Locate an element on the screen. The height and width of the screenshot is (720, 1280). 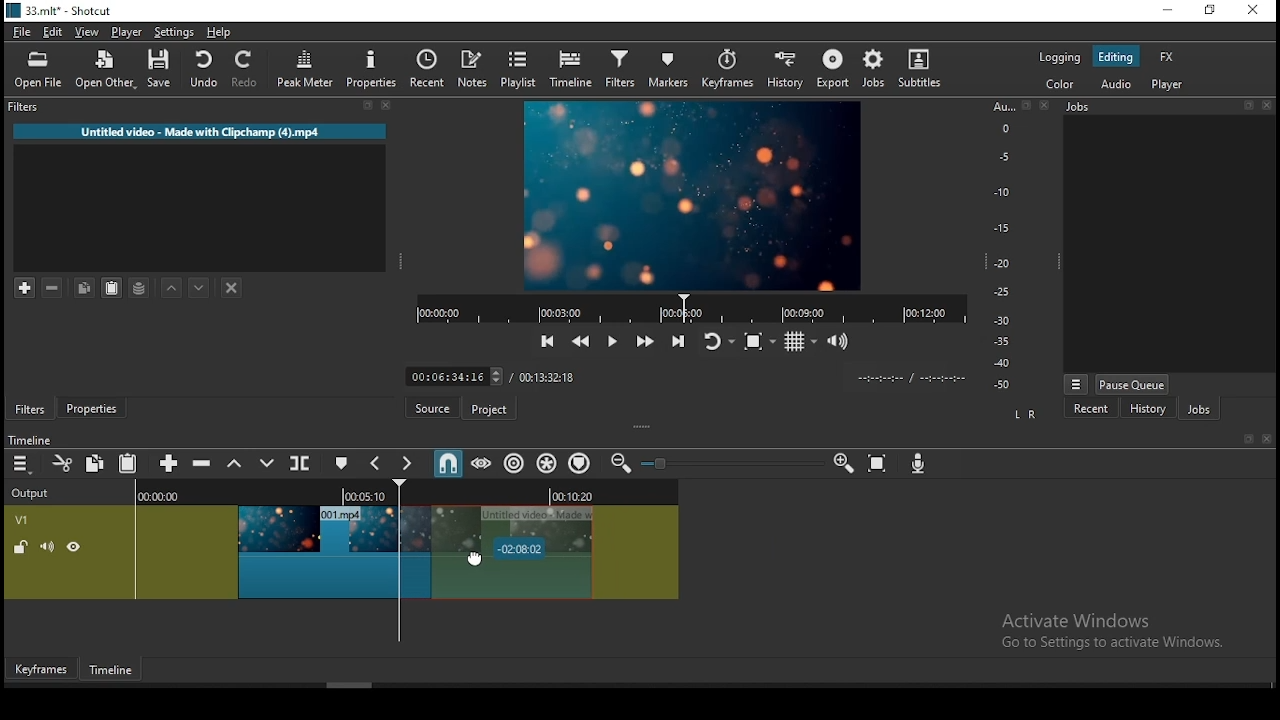
player is located at coordinates (1168, 86).